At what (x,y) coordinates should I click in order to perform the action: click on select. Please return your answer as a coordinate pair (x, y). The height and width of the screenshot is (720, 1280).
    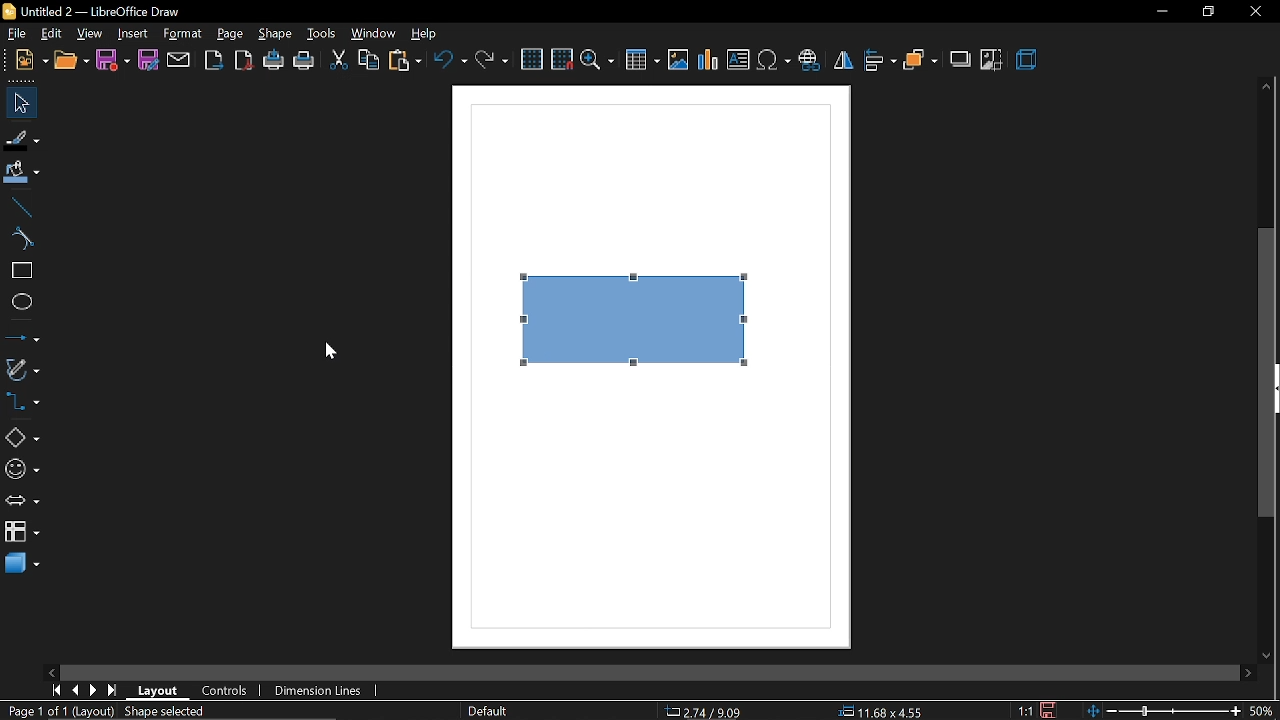
    Looking at the image, I should click on (19, 103).